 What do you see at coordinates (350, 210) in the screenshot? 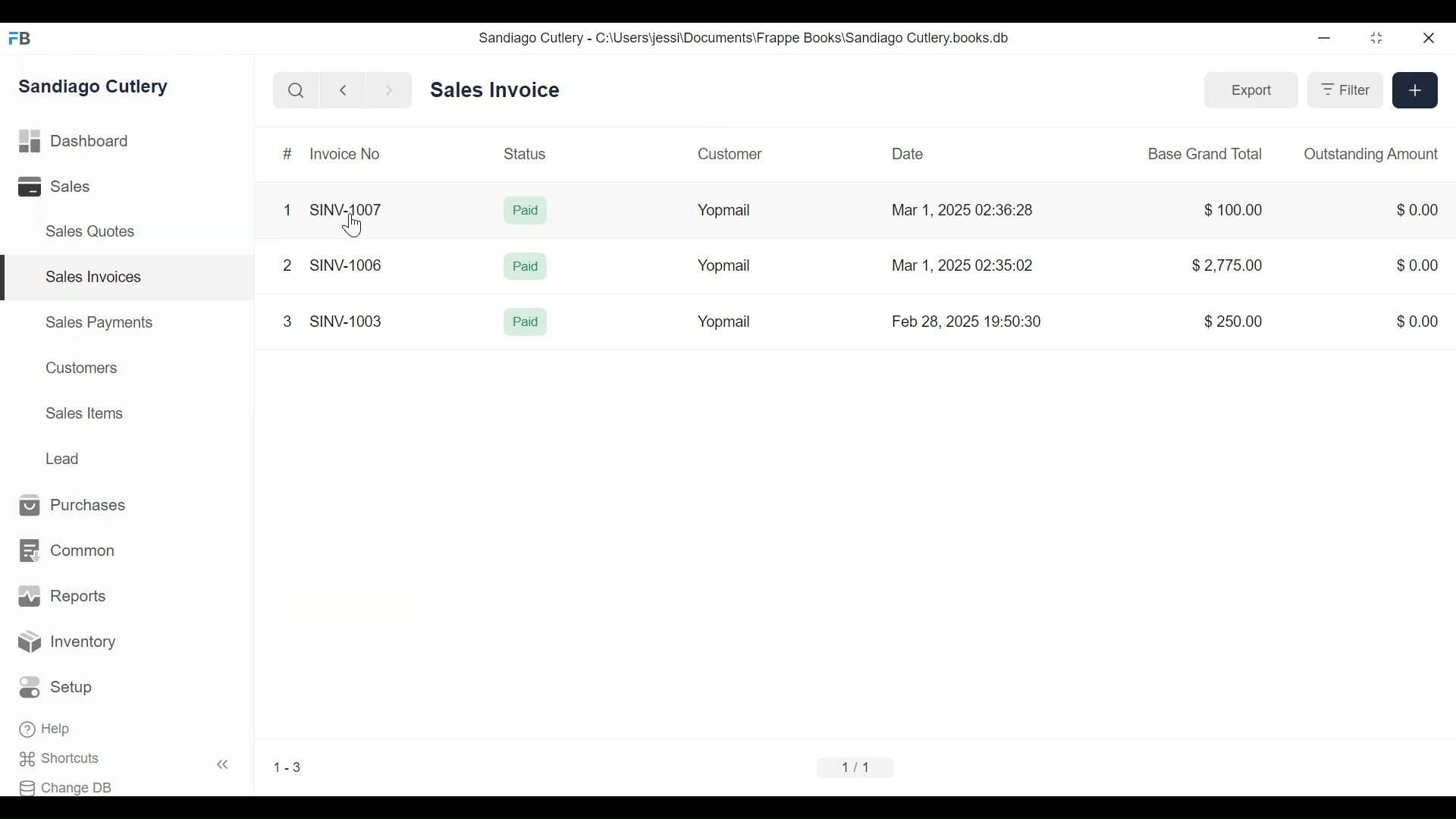
I see `SINV-1007` at bounding box center [350, 210].